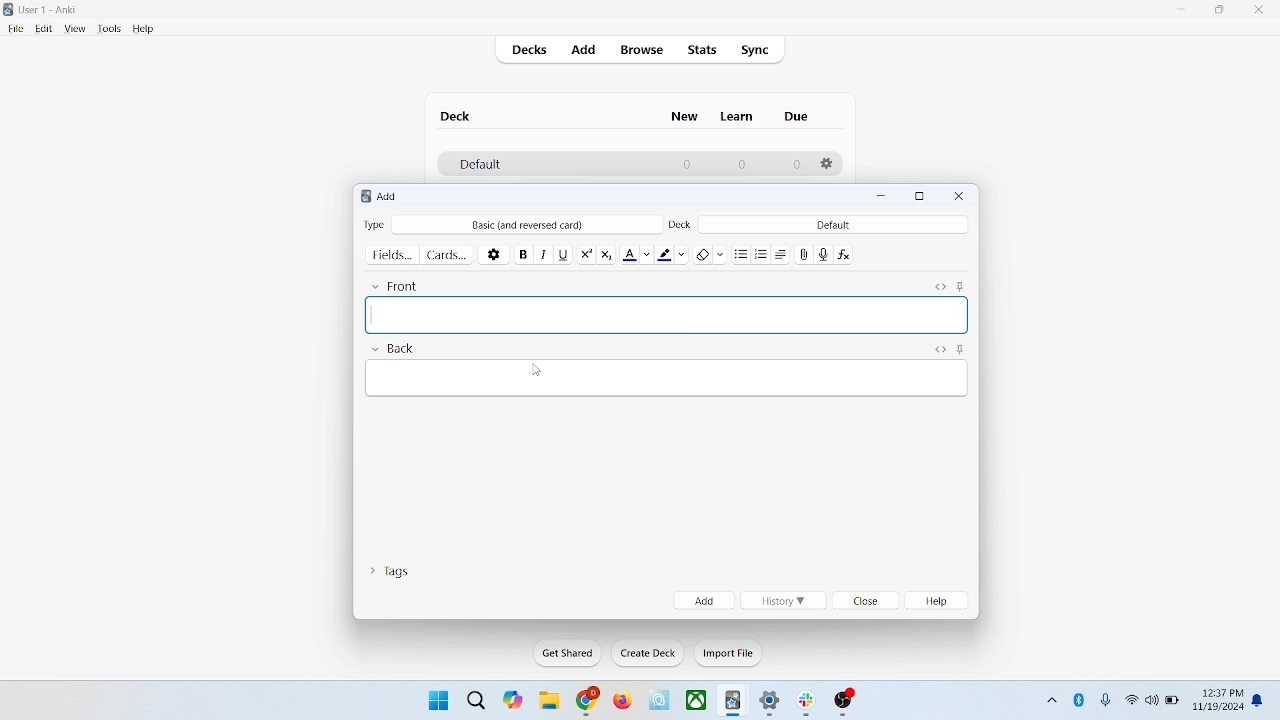 The width and height of the screenshot is (1280, 720). I want to click on 0, so click(796, 165).